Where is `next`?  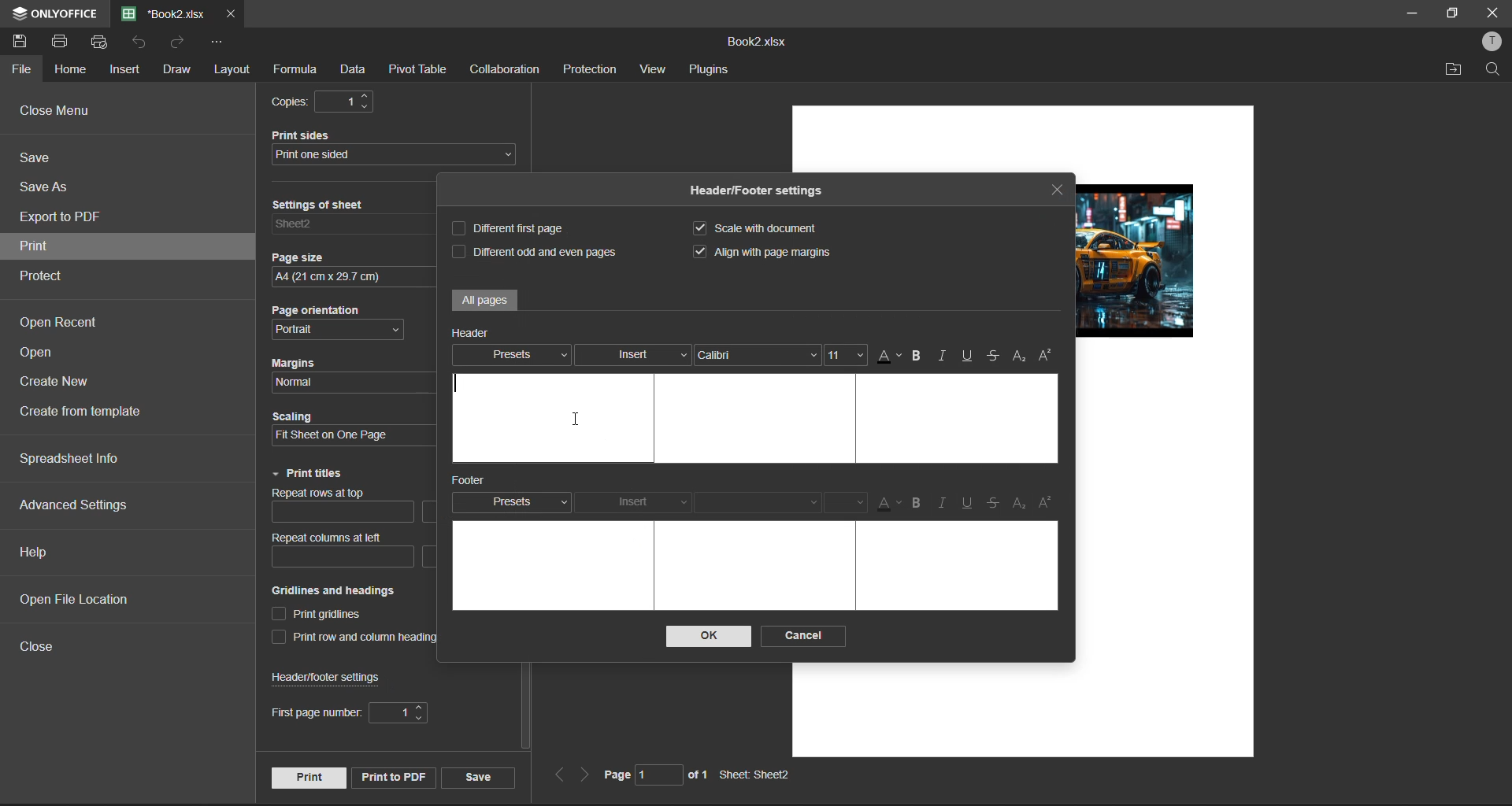
next is located at coordinates (586, 776).